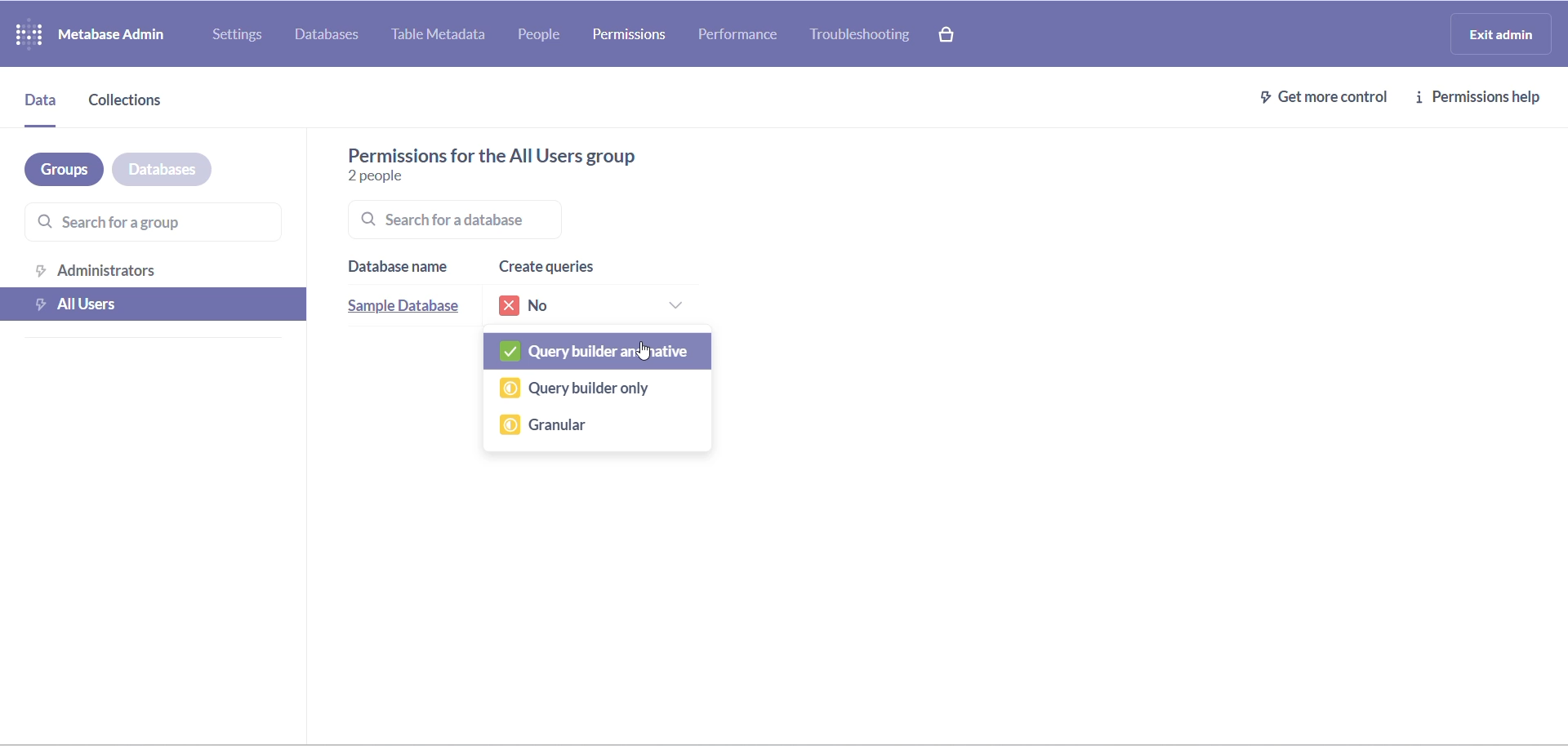 Image resolution: width=1568 pixels, height=746 pixels. What do you see at coordinates (394, 178) in the screenshot?
I see `number of people in group` at bounding box center [394, 178].